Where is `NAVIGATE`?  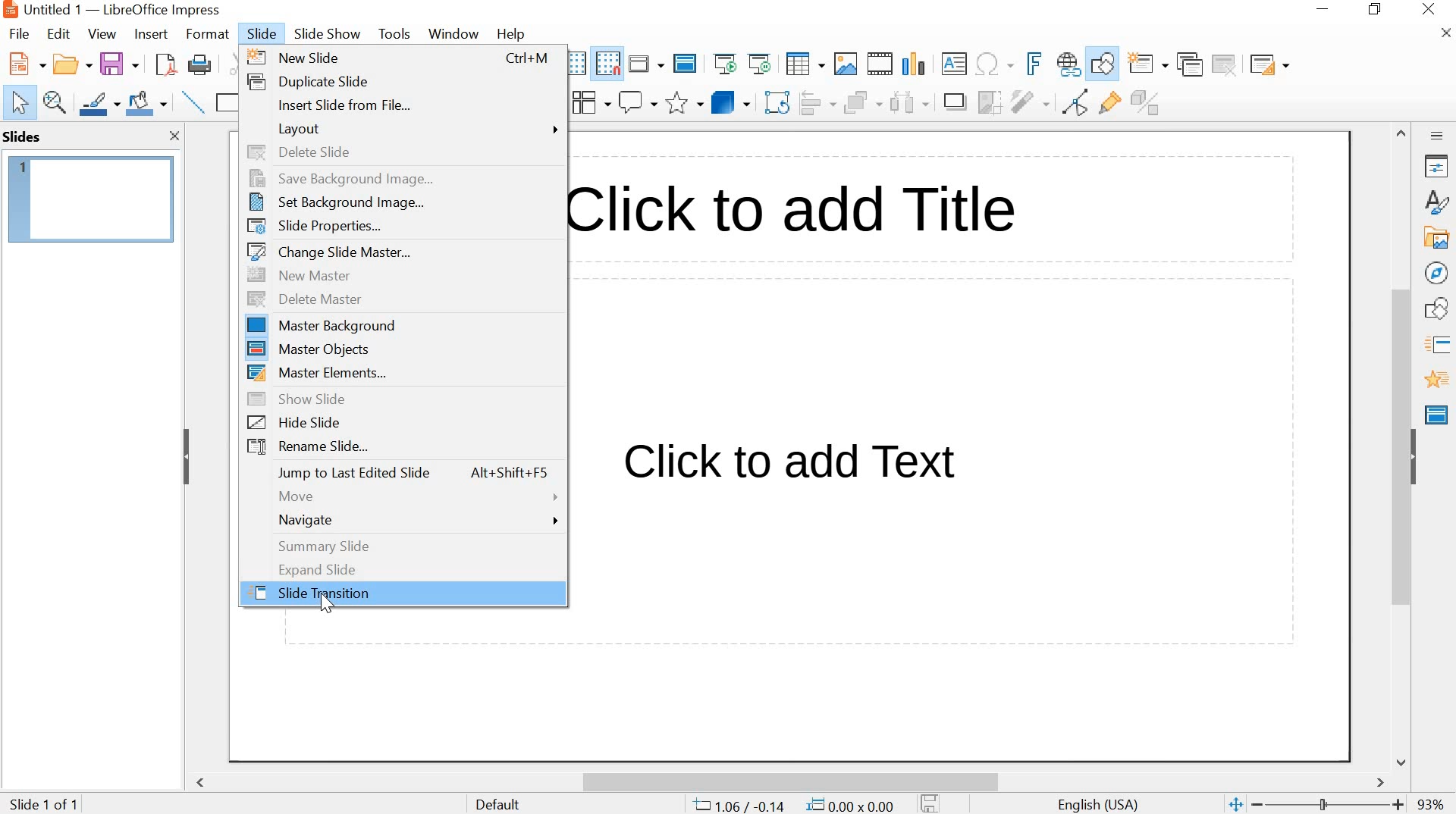 NAVIGATE is located at coordinates (402, 521).